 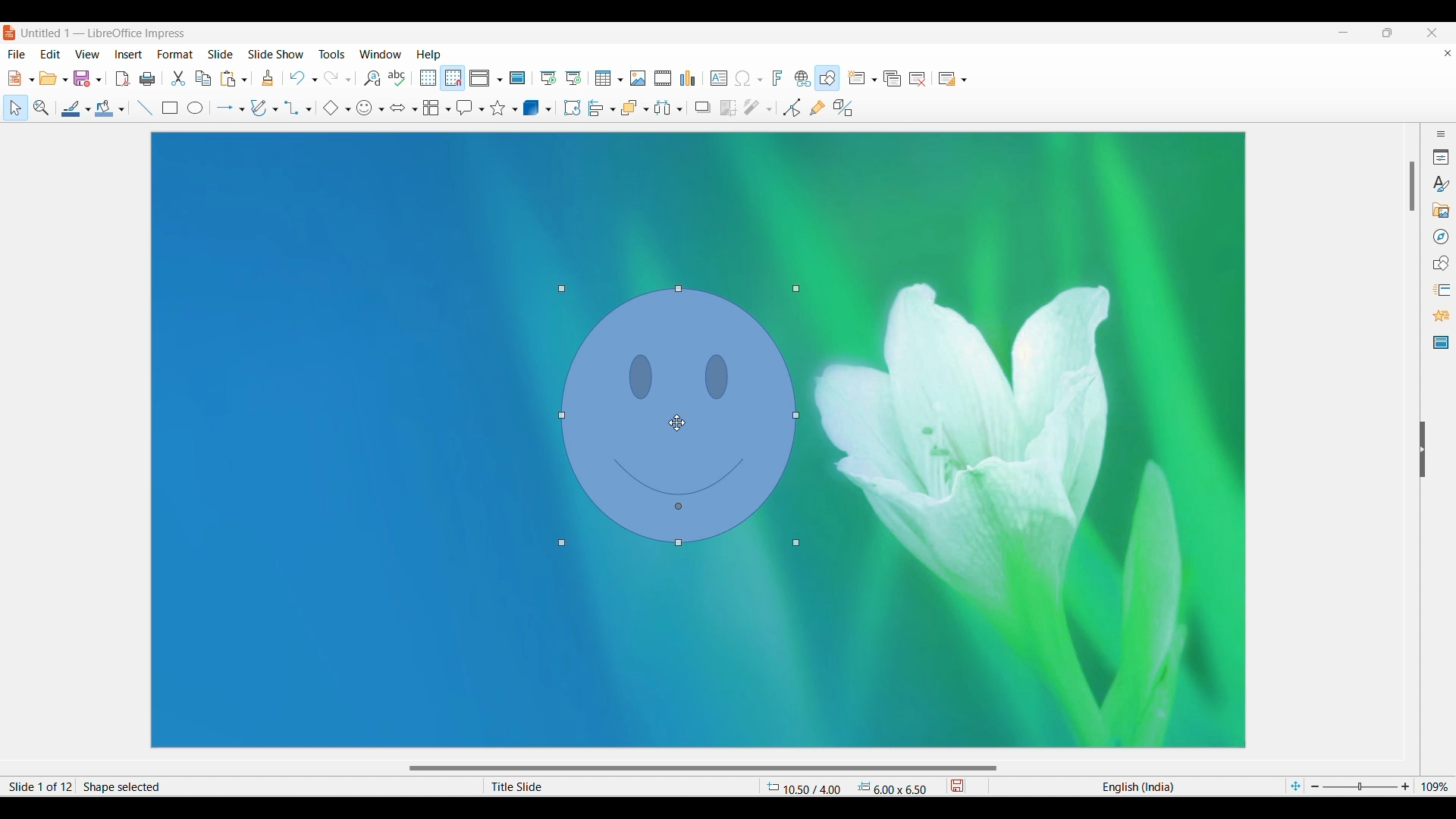 What do you see at coordinates (315, 80) in the screenshot?
I see `Undo specific action` at bounding box center [315, 80].